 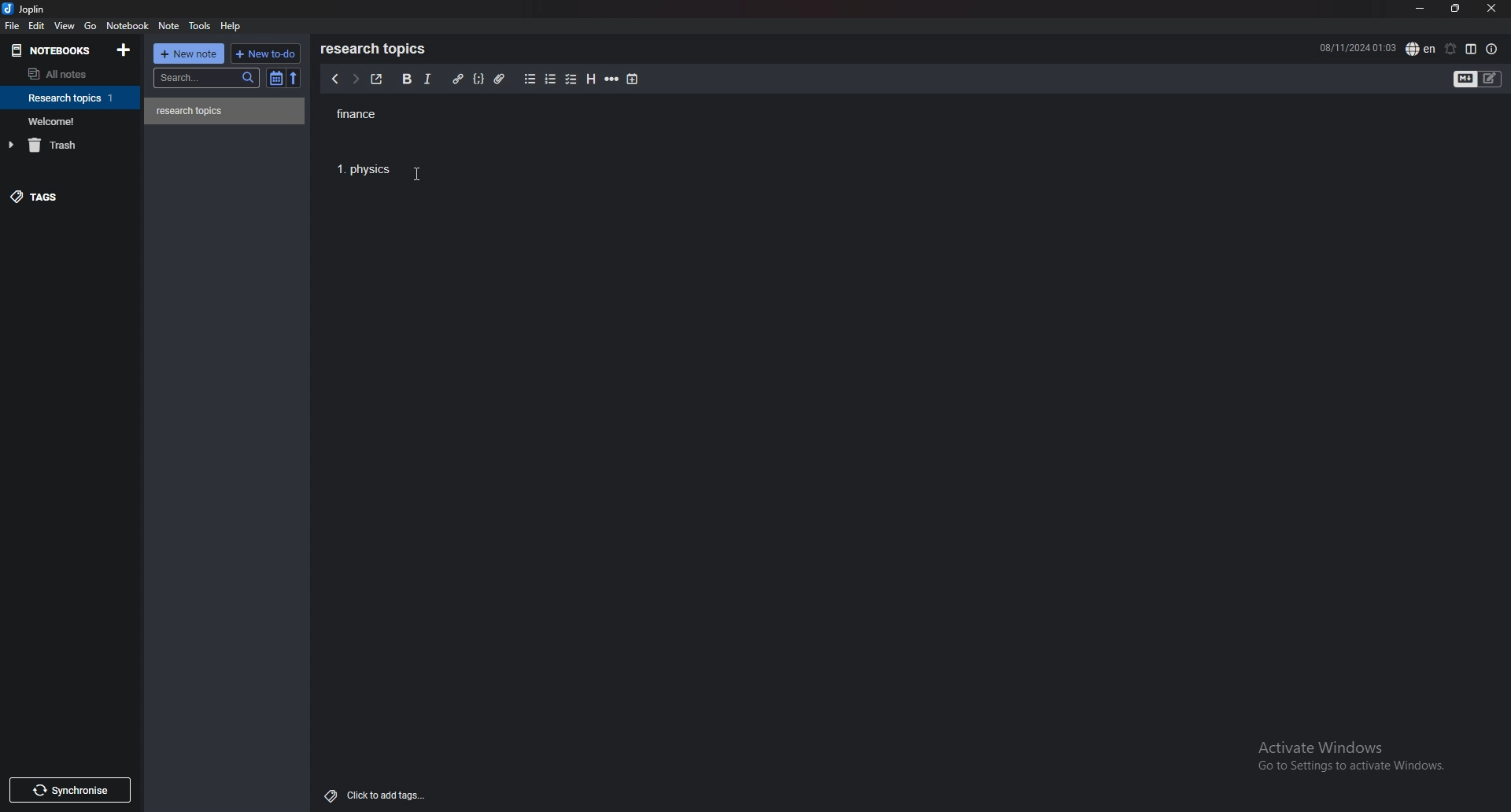 I want to click on bold, so click(x=405, y=79).